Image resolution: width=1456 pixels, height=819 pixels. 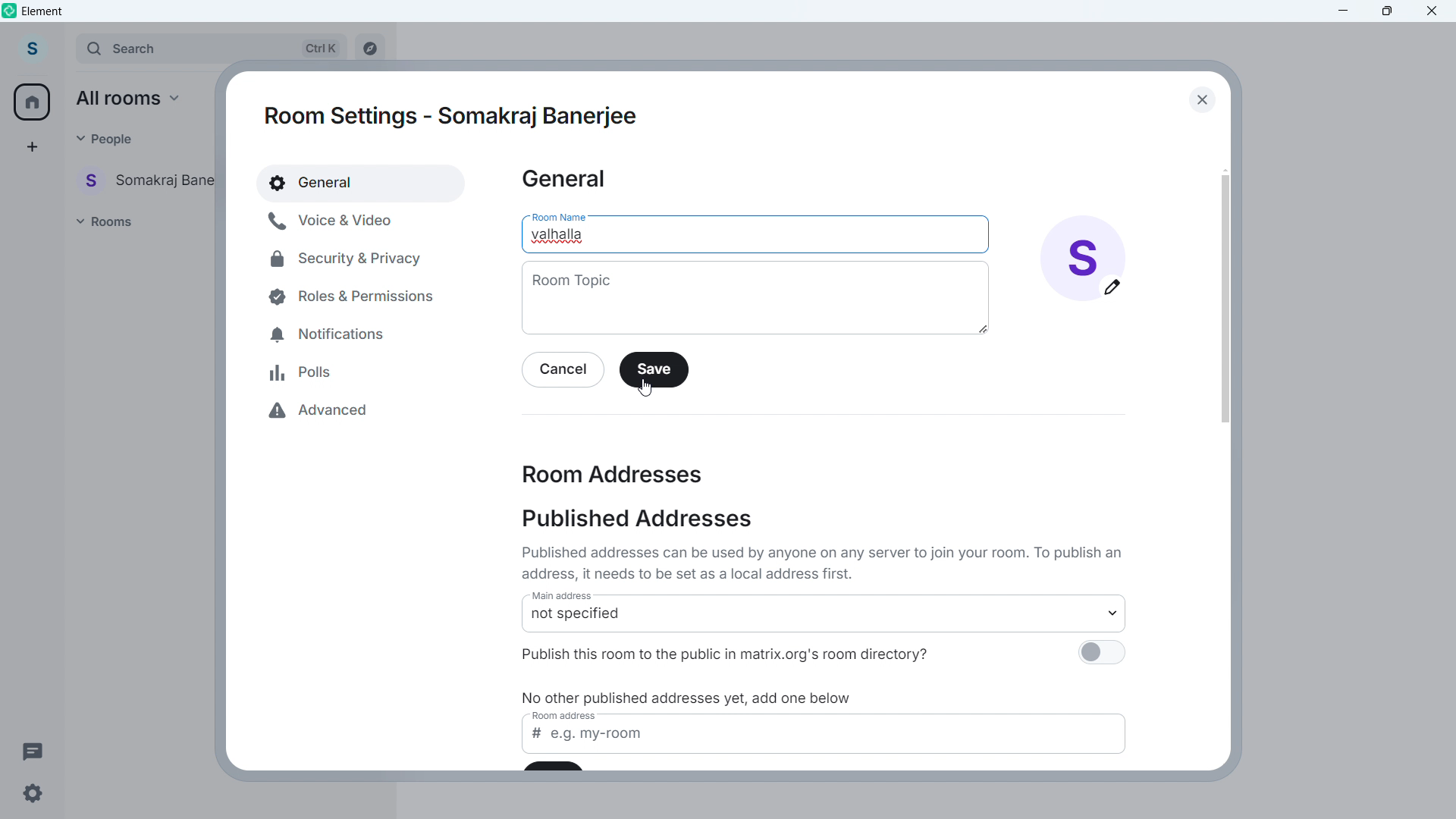 What do you see at coordinates (1083, 258) in the screenshot?
I see `Account image` at bounding box center [1083, 258].